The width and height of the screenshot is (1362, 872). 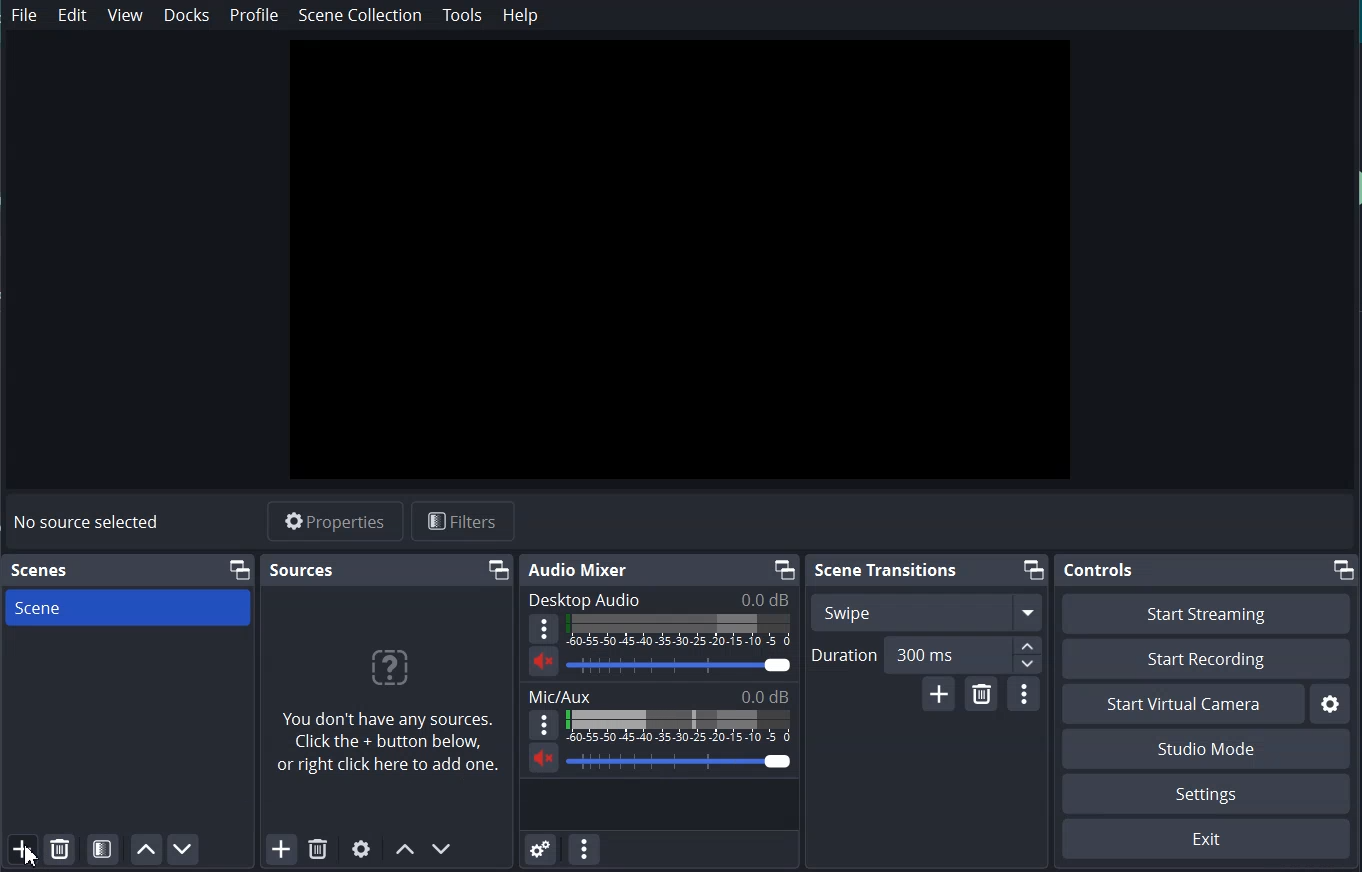 What do you see at coordinates (1025, 695) in the screenshot?
I see `Transition properties` at bounding box center [1025, 695].